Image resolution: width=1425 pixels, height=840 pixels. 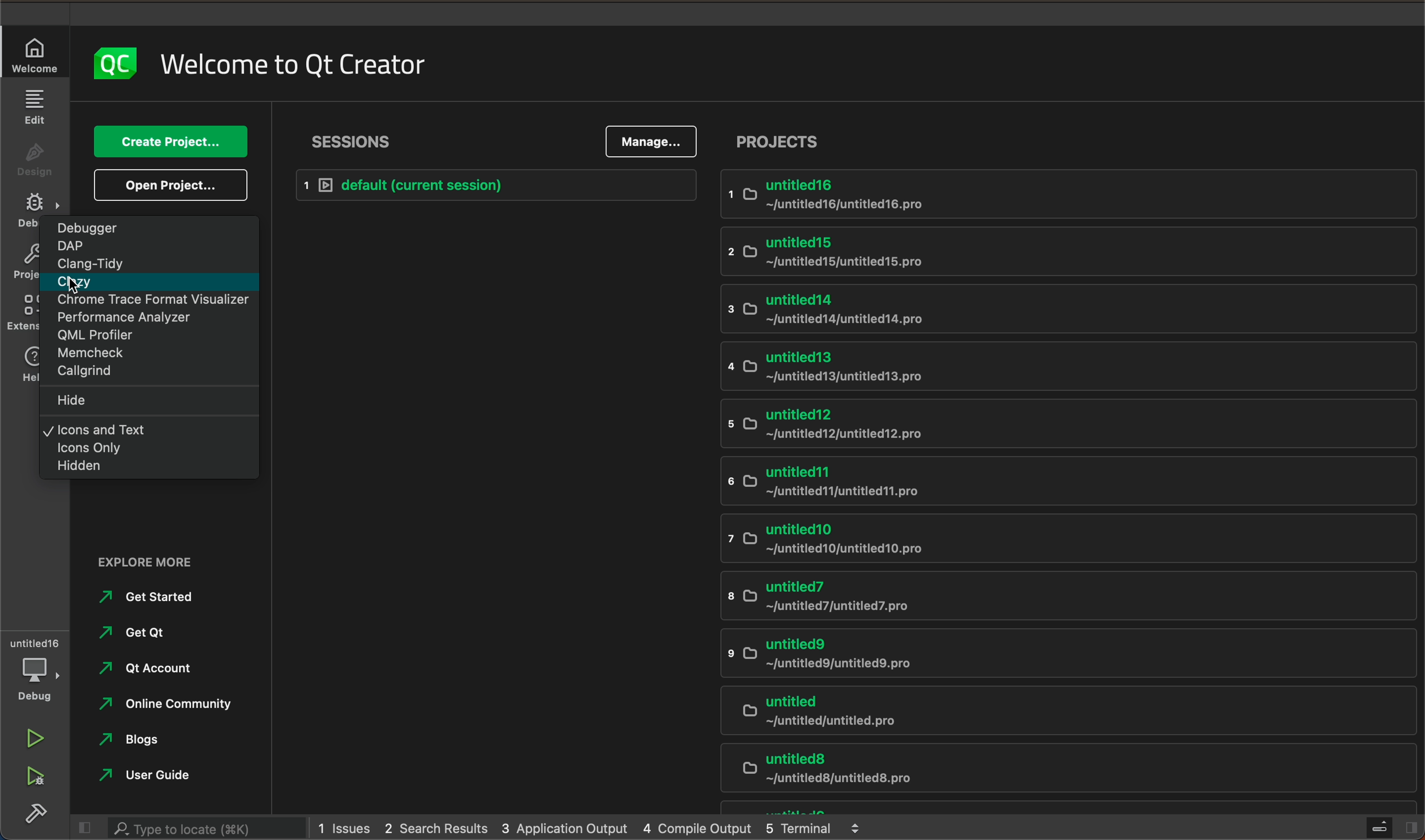 What do you see at coordinates (150, 282) in the screenshot?
I see `clazy` at bounding box center [150, 282].